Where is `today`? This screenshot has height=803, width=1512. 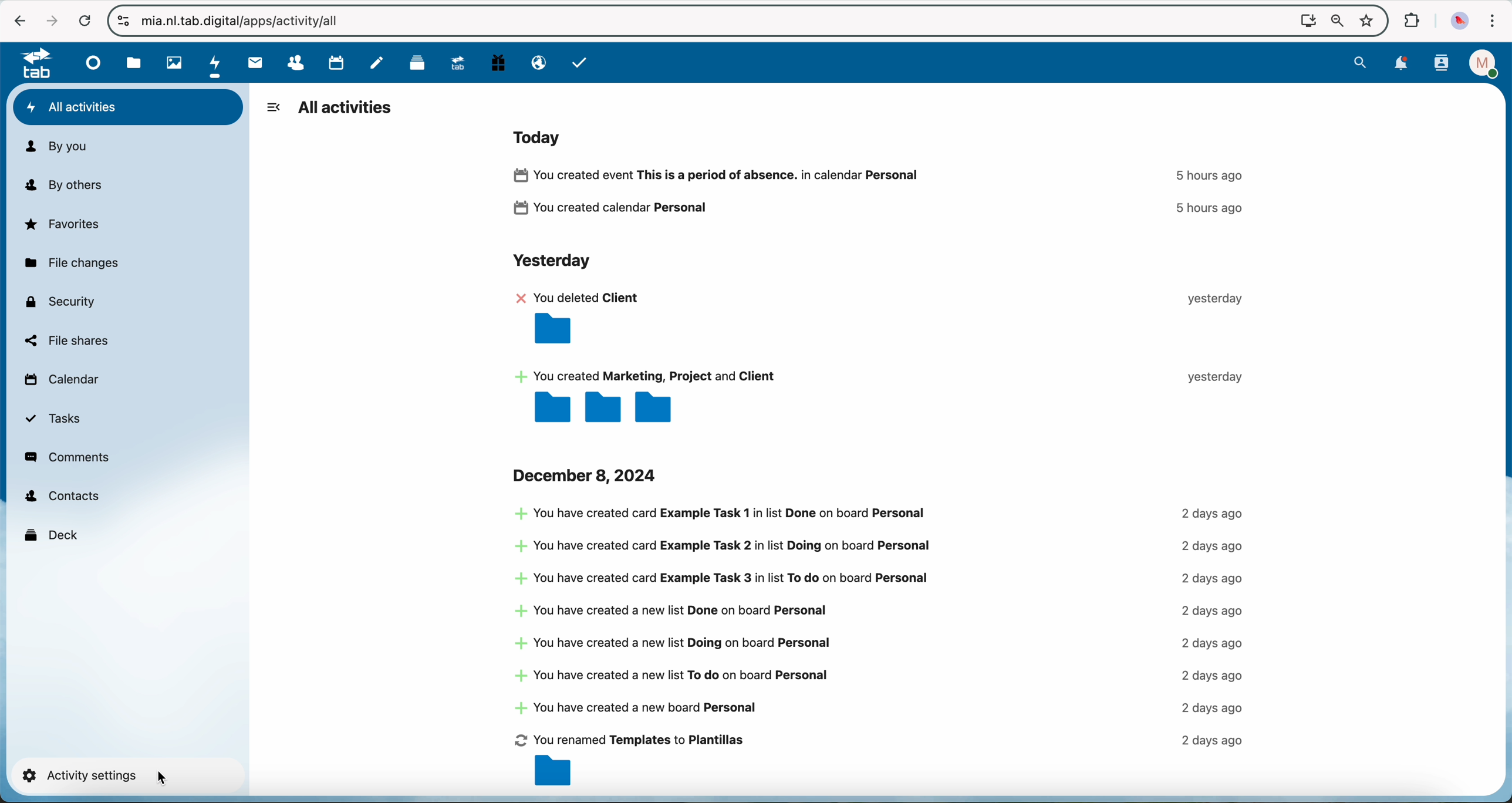
today is located at coordinates (541, 136).